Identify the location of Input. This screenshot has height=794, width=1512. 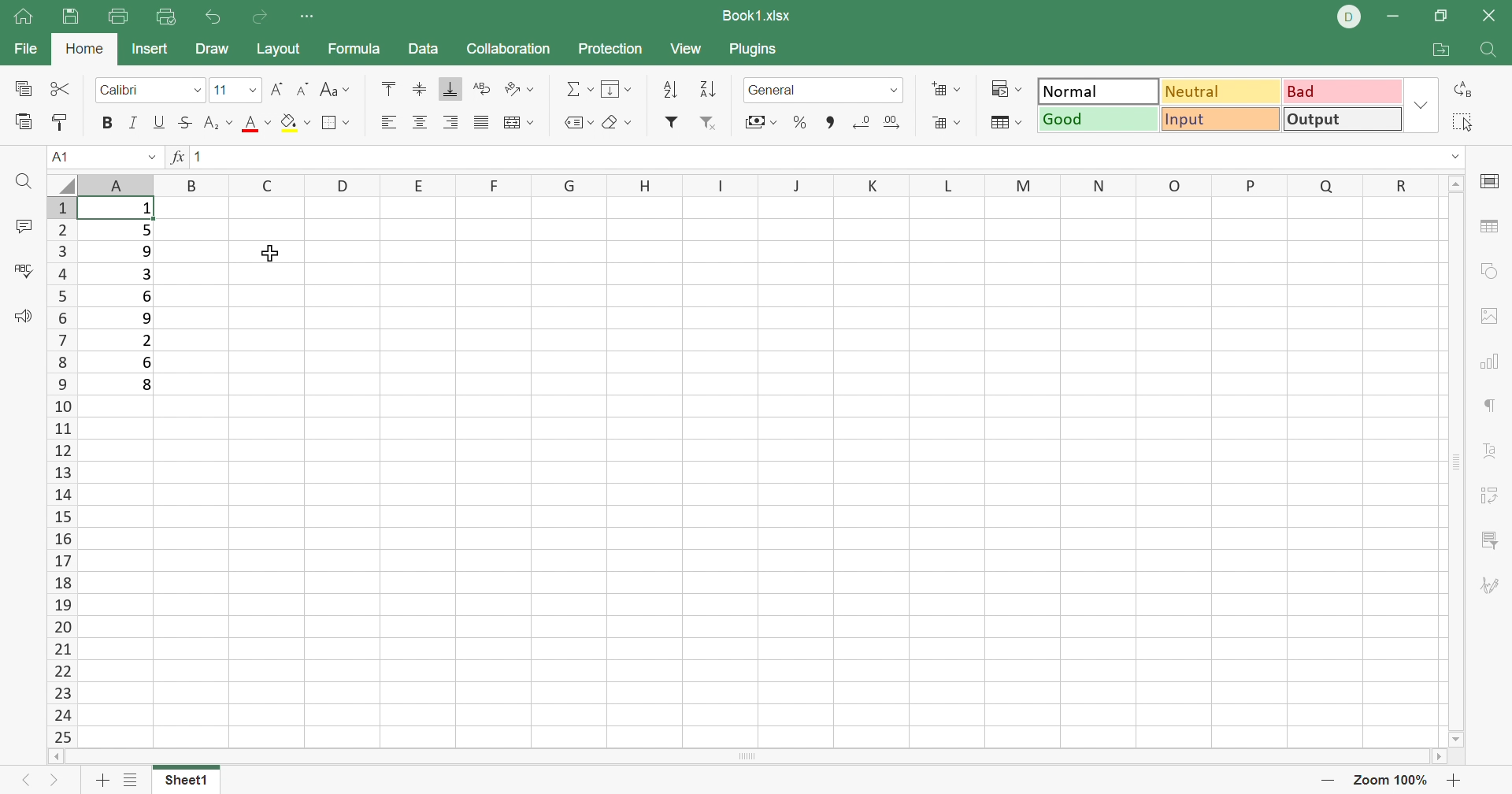
(1221, 118).